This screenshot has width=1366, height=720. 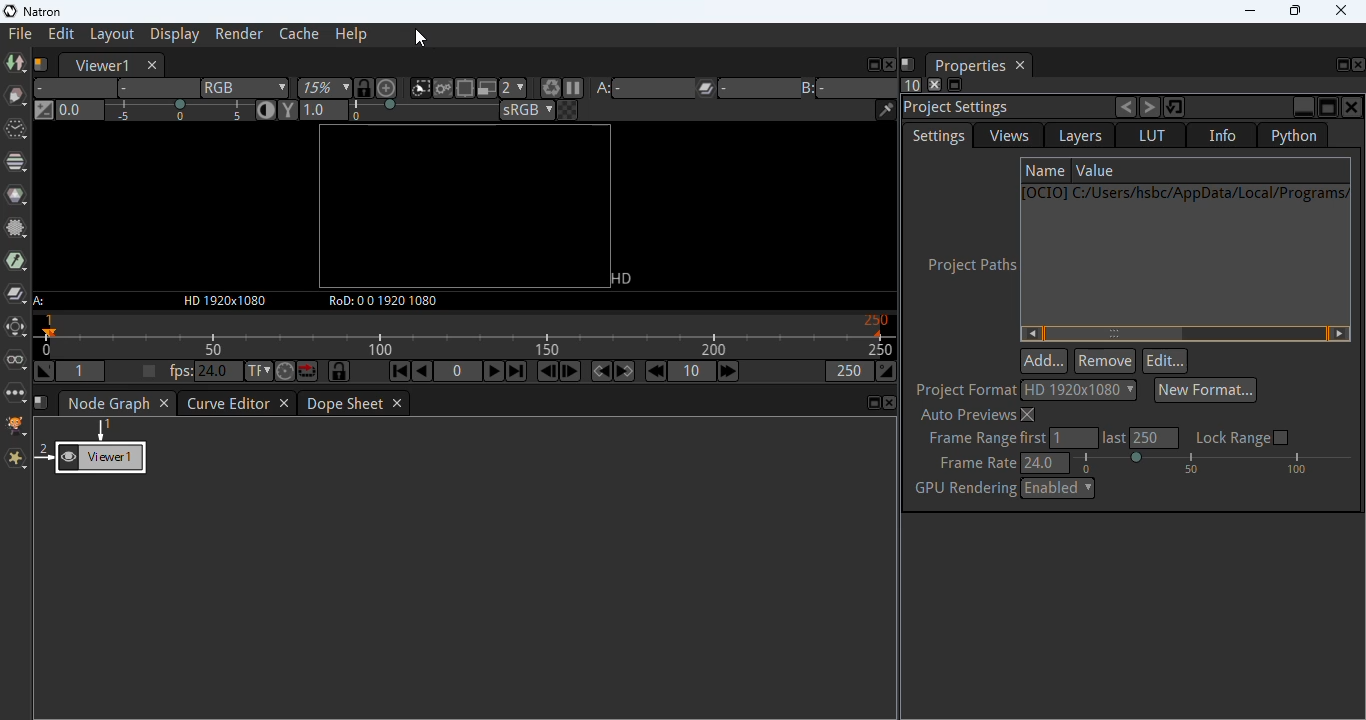 What do you see at coordinates (960, 109) in the screenshot?
I see `project settings` at bounding box center [960, 109].